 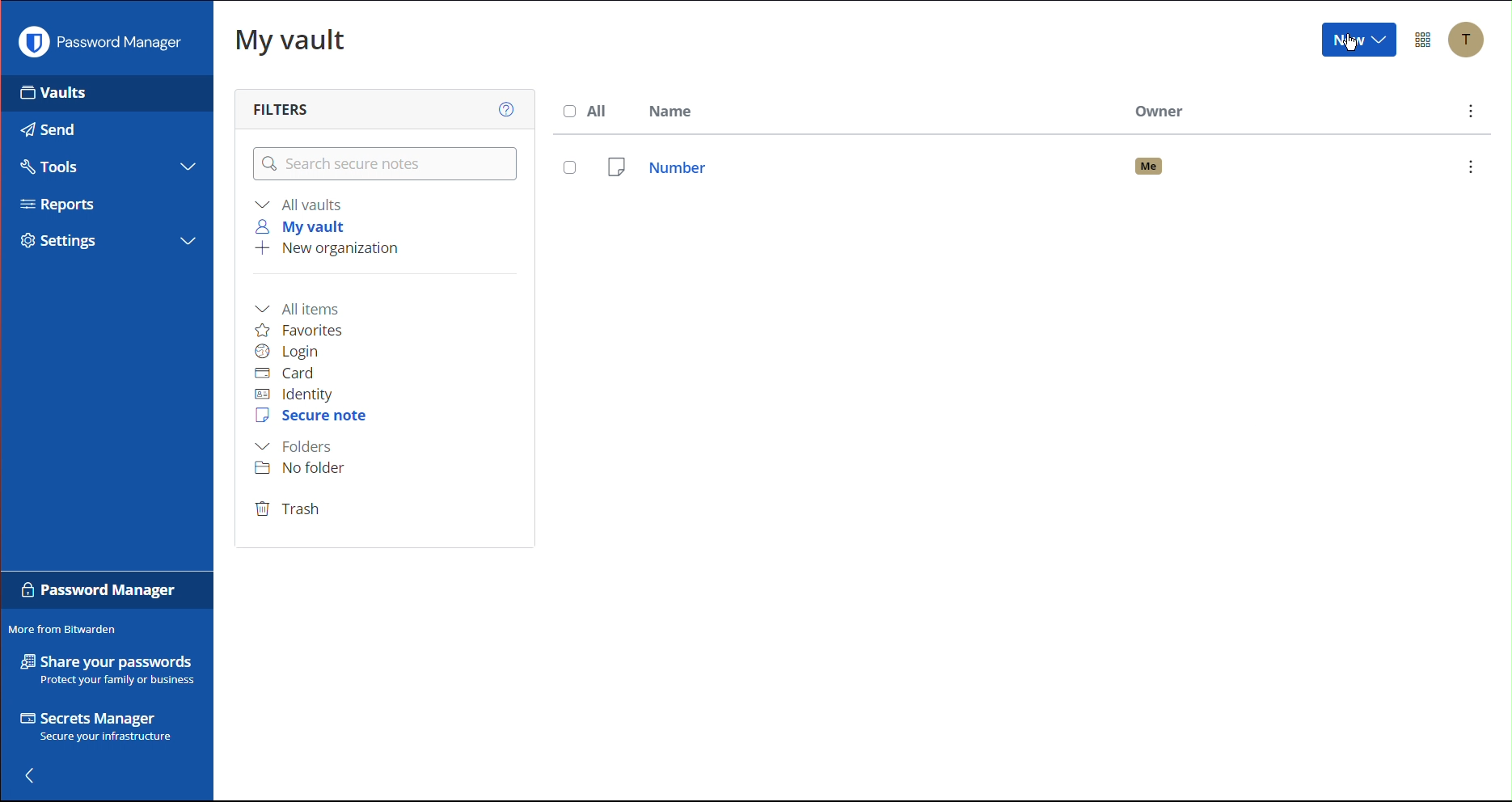 What do you see at coordinates (99, 729) in the screenshot?
I see `Secrets Manager` at bounding box center [99, 729].